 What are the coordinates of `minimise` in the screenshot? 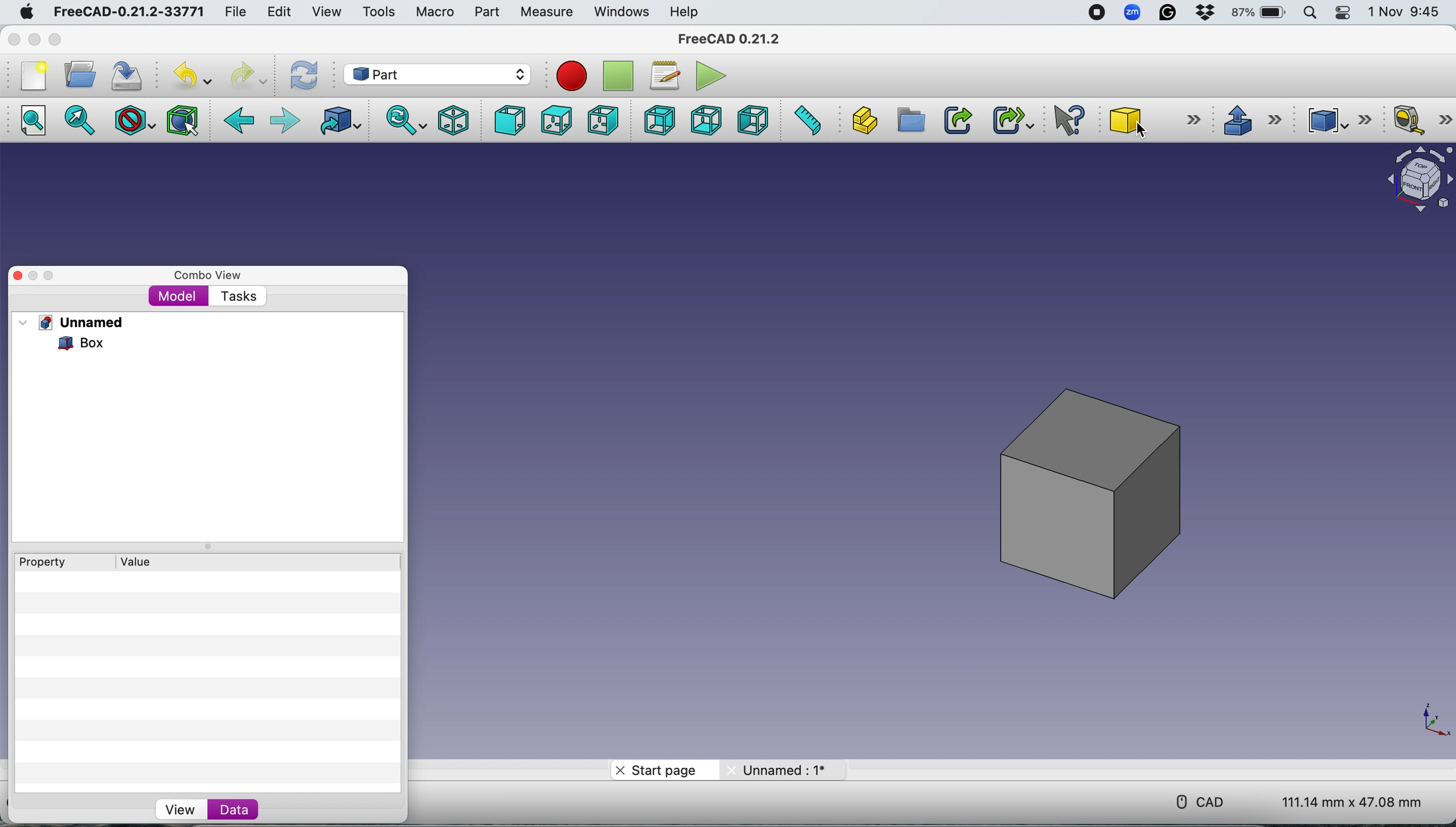 It's located at (34, 39).